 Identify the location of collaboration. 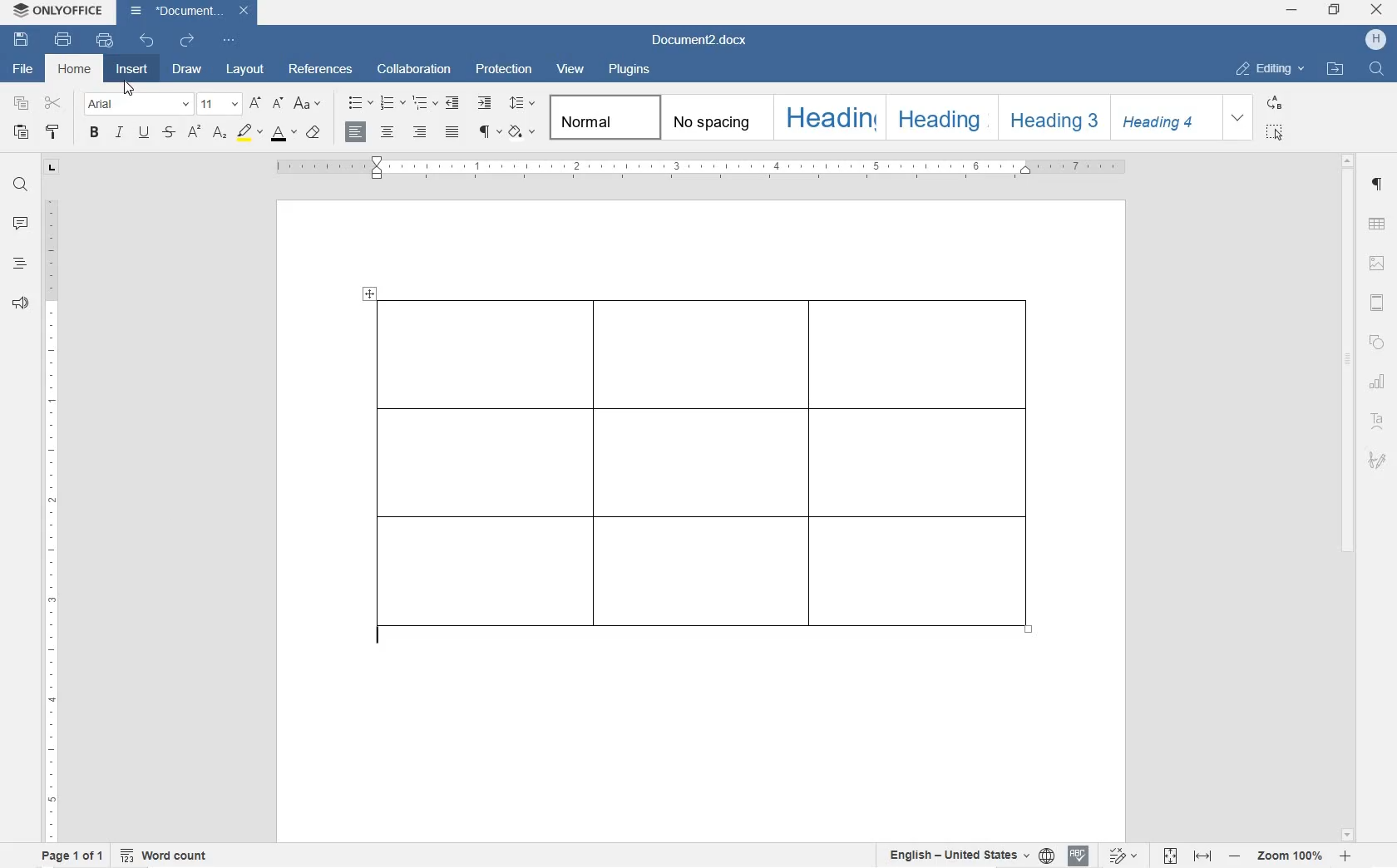
(414, 70).